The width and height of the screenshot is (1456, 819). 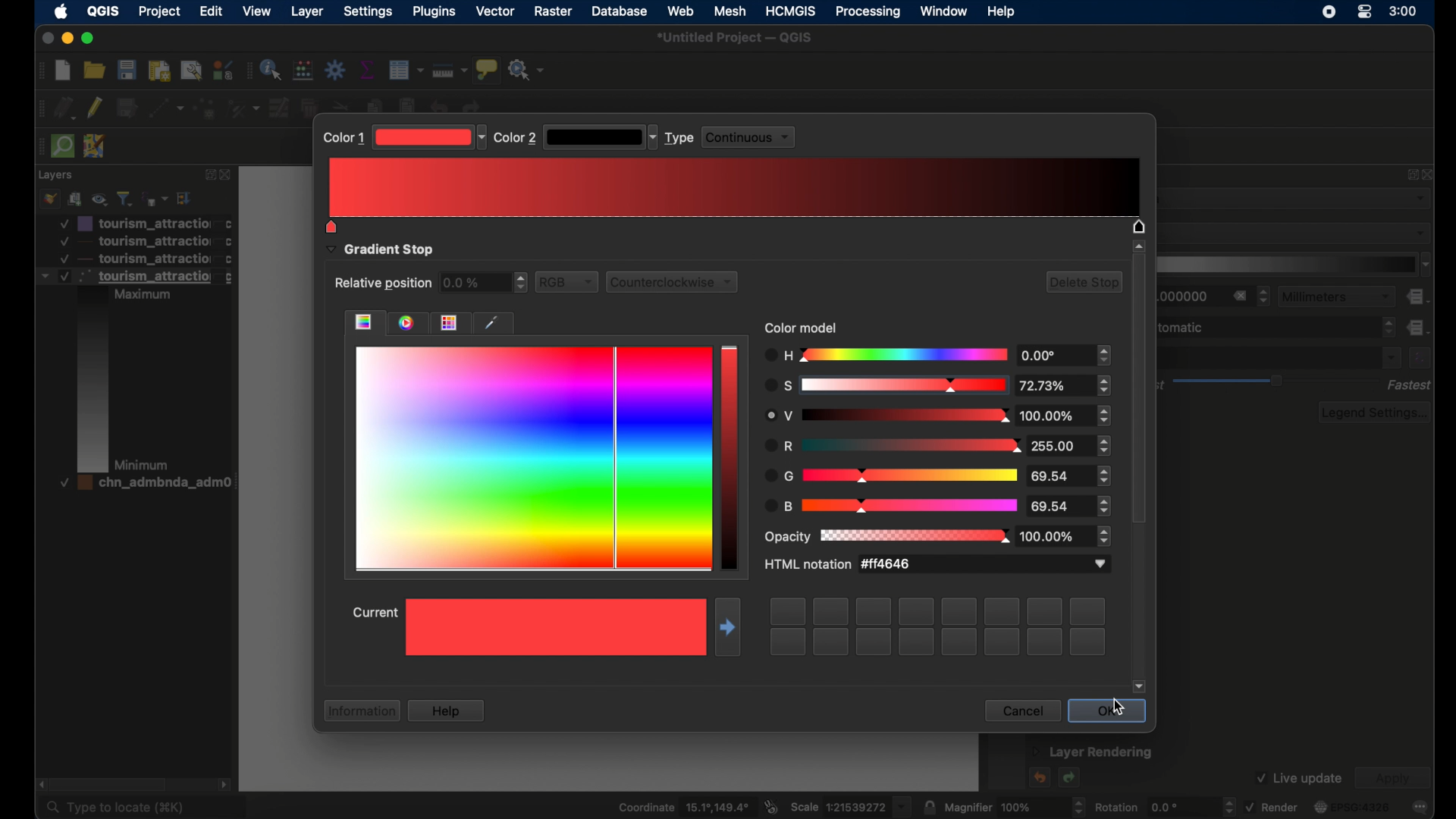 What do you see at coordinates (342, 138) in the screenshot?
I see `color 1` at bounding box center [342, 138].